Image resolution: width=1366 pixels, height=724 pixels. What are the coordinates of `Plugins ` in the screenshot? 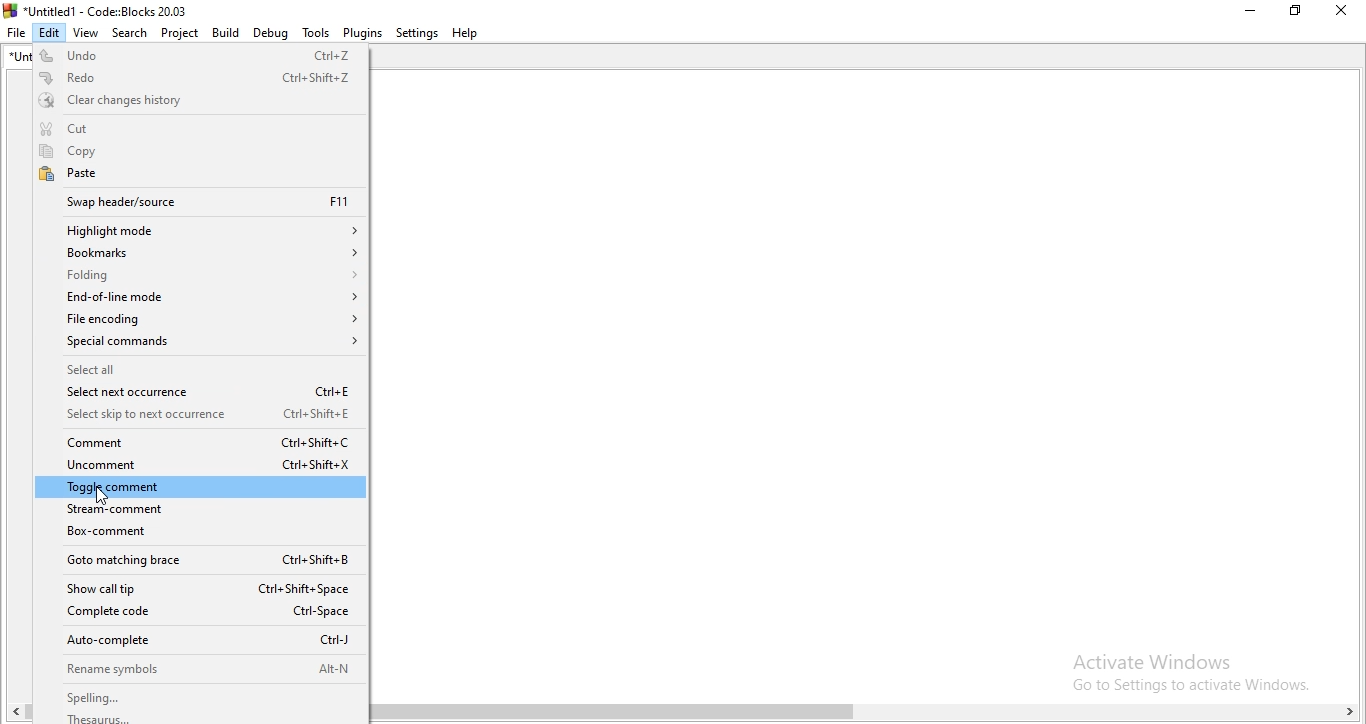 It's located at (363, 33).